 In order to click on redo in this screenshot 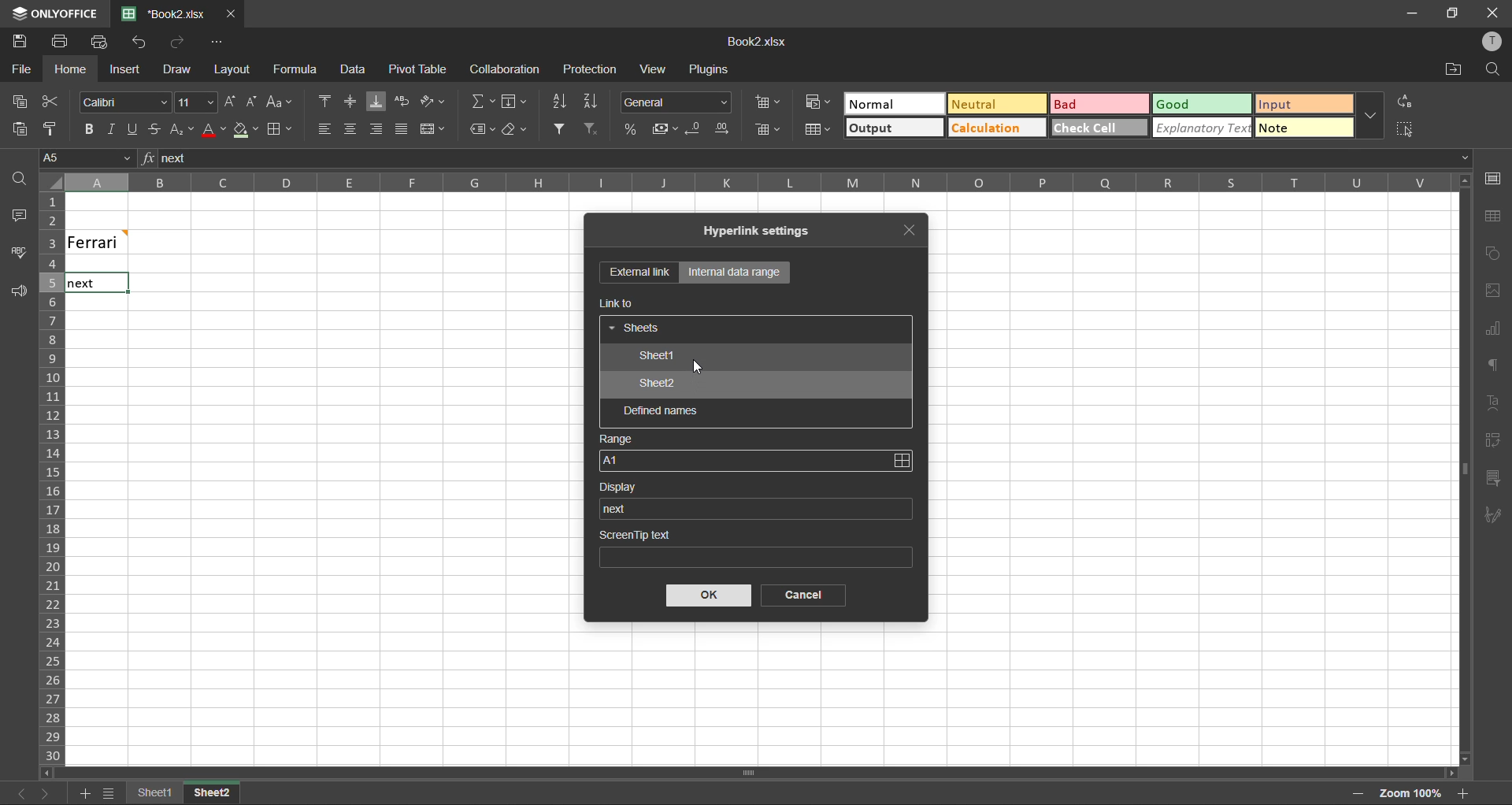, I will do `click(180, 42)`.